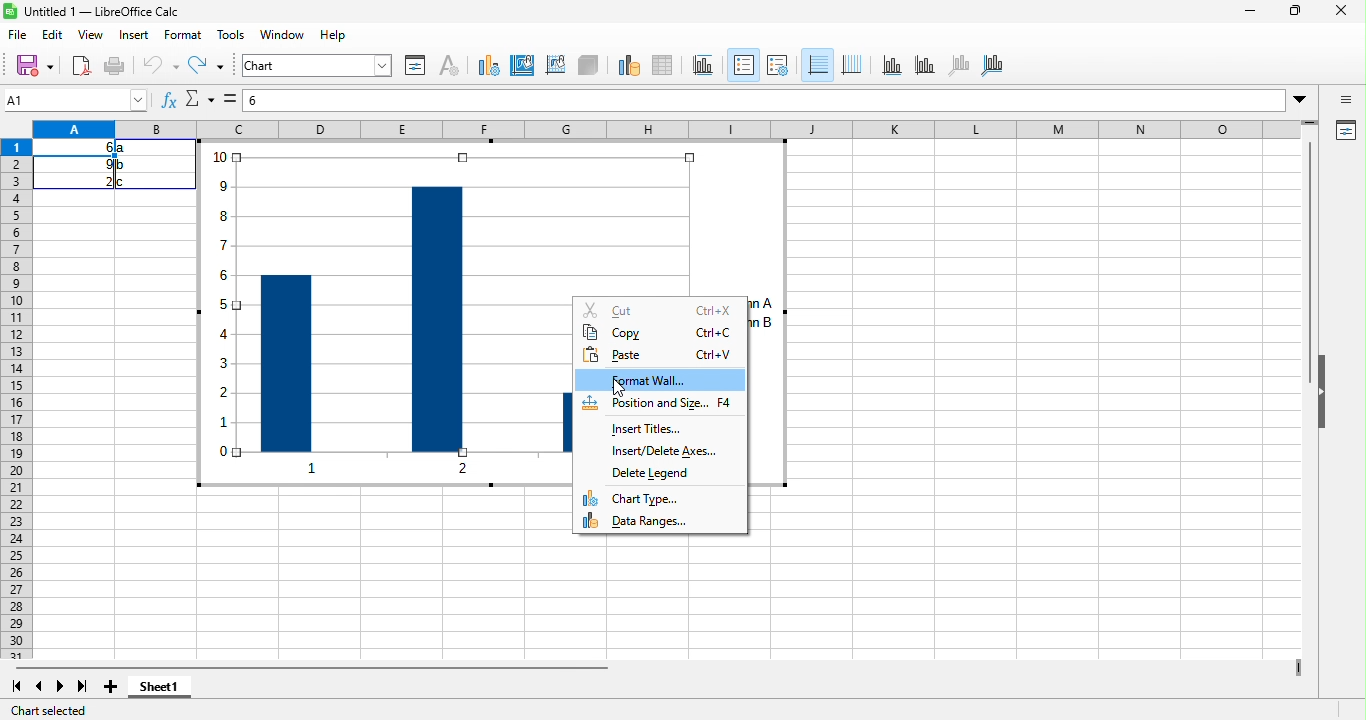 This screenshot has height=720, width=1366. I want to click on data ranges, so click(628, 66).